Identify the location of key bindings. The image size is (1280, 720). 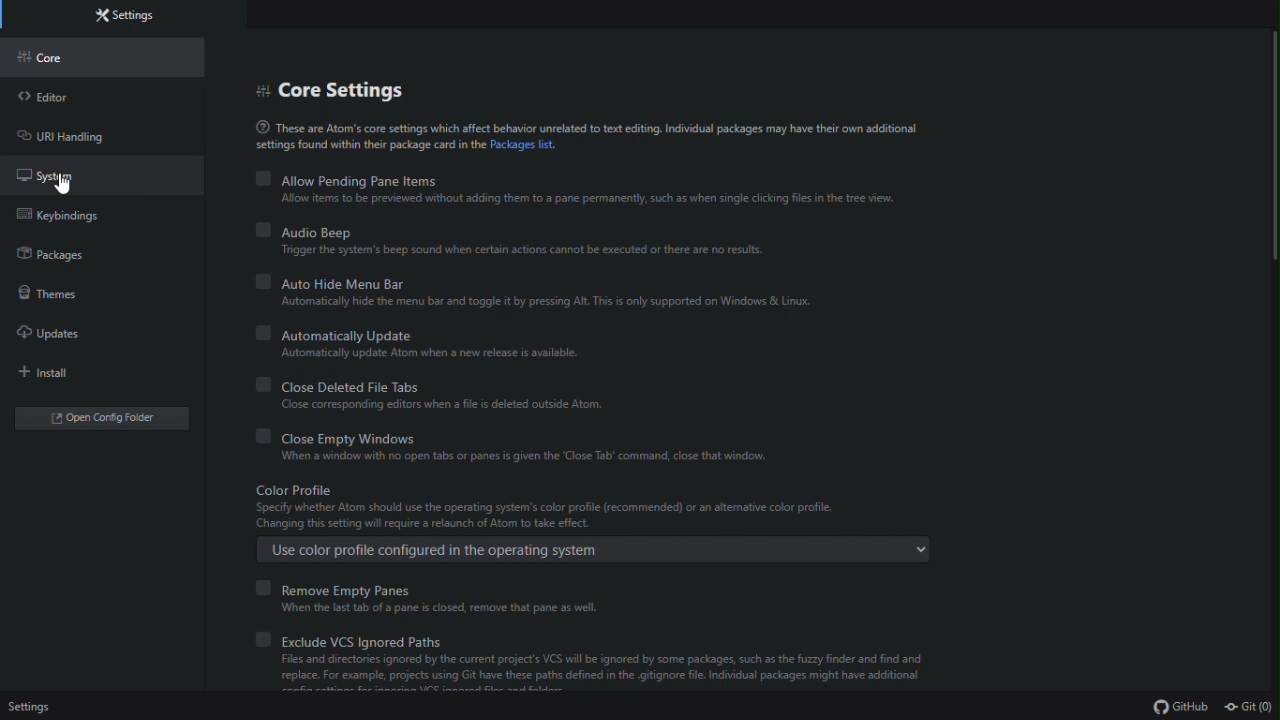
(101, 212).